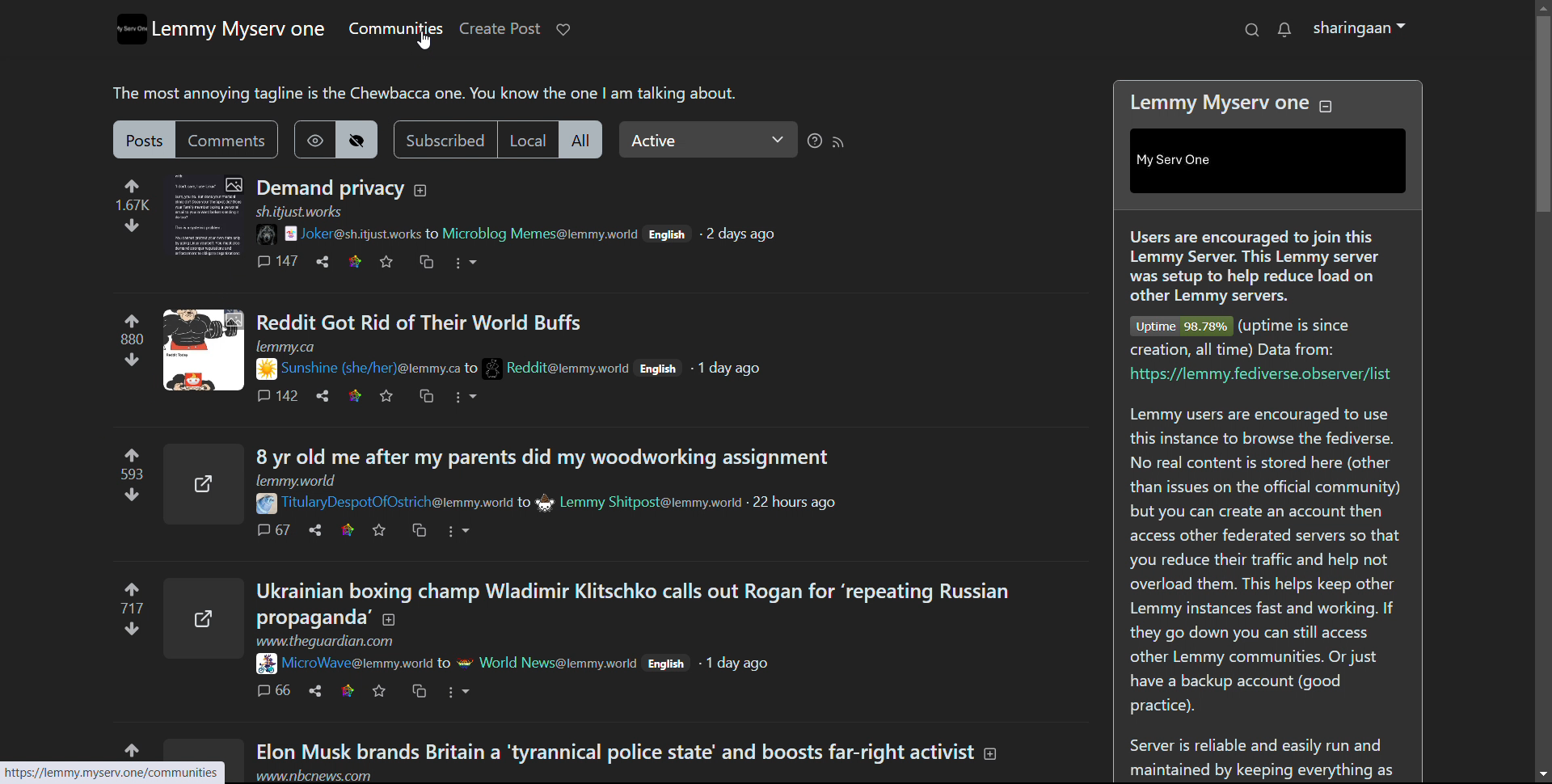 This screenshot has height=784, width=1552. What do you see at coordinates (132, 317) in the screenshot?
I see `upvote` at bounding box center [132, 317].